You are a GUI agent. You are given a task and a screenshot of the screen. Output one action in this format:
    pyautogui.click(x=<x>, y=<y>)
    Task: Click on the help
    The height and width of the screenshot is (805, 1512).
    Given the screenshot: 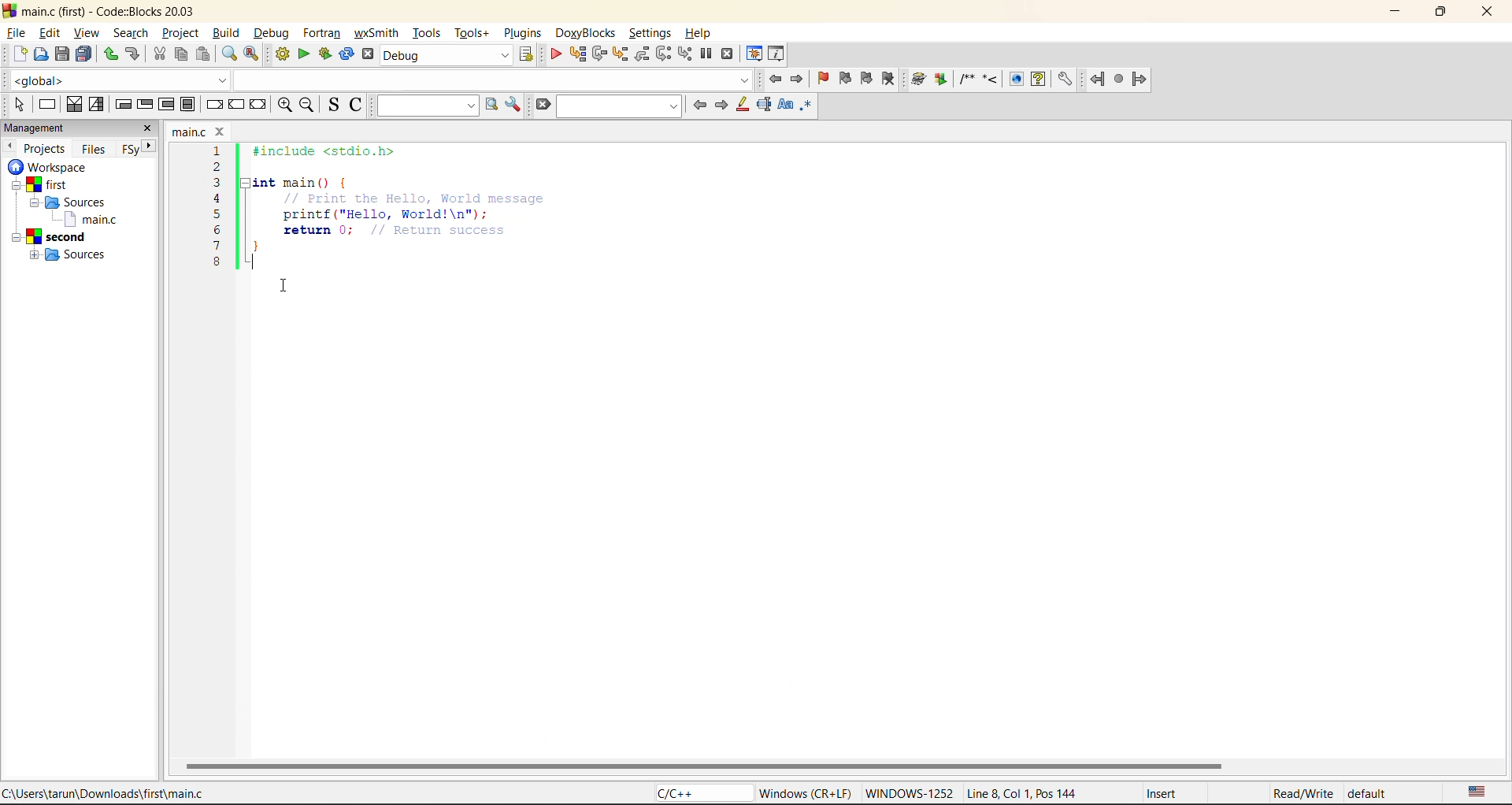 What is the action you would take?
    pyautogui.click(x=1038, y=80)
    